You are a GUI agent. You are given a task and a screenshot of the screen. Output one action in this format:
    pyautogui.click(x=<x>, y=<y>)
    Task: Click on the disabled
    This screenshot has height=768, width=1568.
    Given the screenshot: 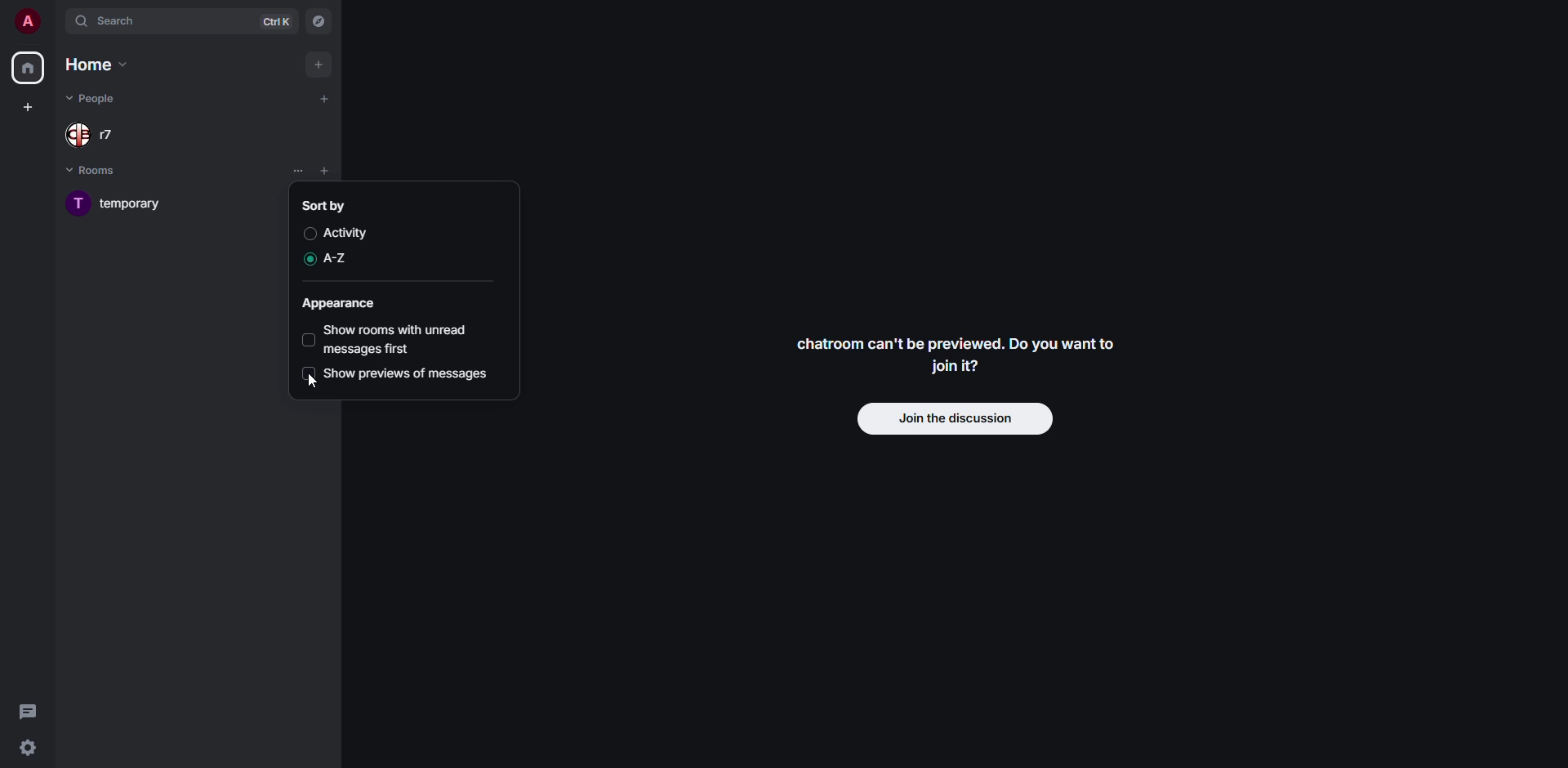 What is the action you would take?
    pyautogui.click(x=310, y=340)
    